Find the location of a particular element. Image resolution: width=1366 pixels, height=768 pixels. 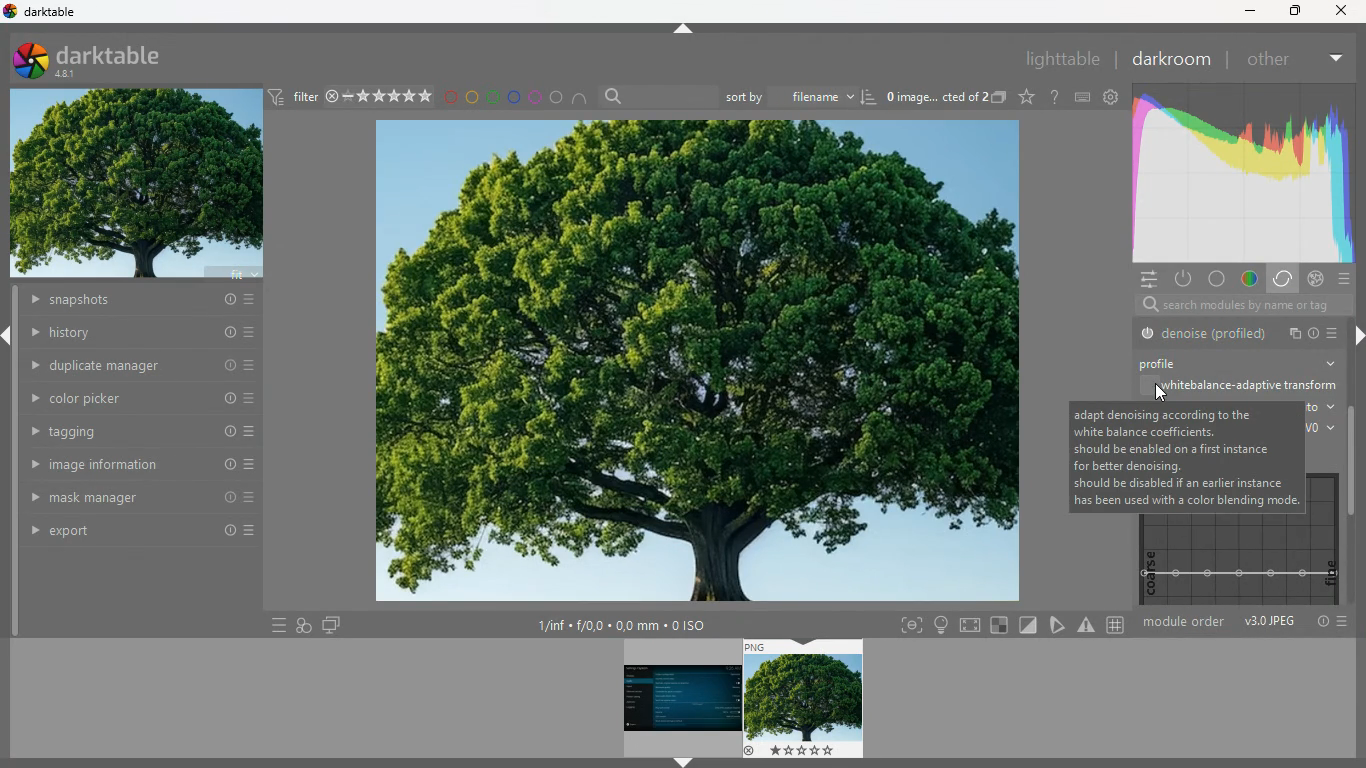

power is located at coordinates (1185, 280).